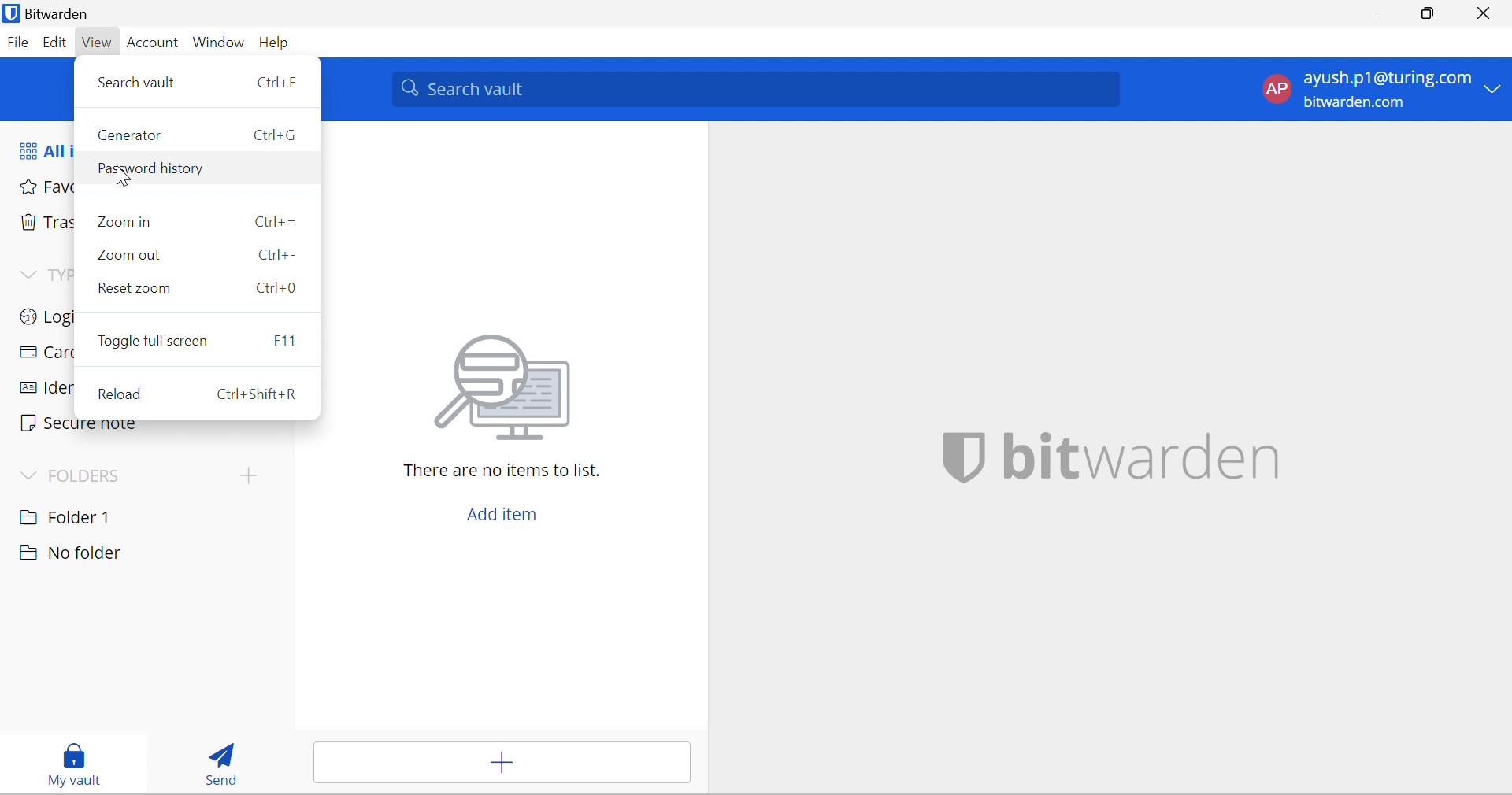  What do you see at coordinates (1485, 13) in the screenshot?
I see `close` at bounding box center [1485, 13].